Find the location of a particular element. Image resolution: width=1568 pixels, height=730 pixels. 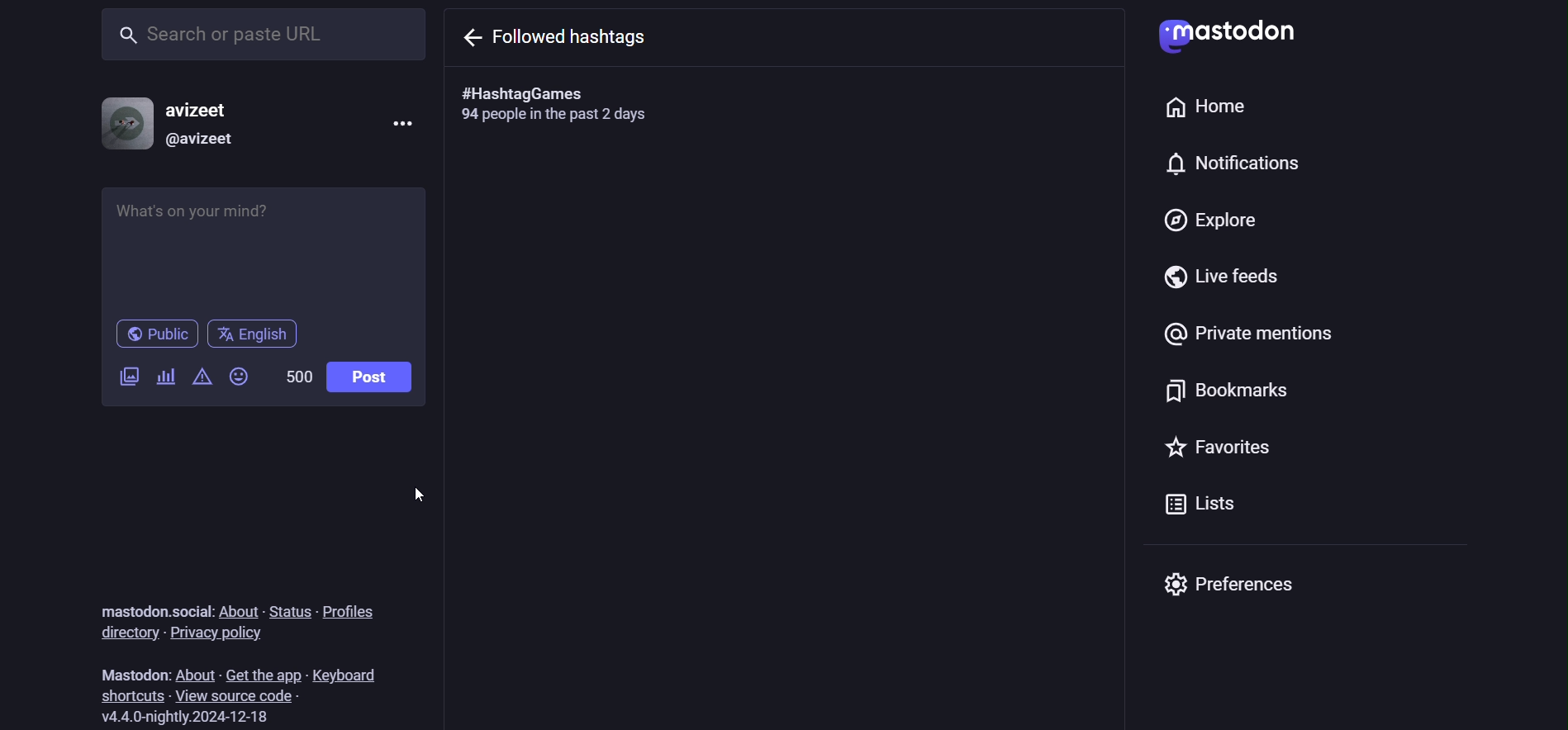

view source code is located at coordinates (242, 694).